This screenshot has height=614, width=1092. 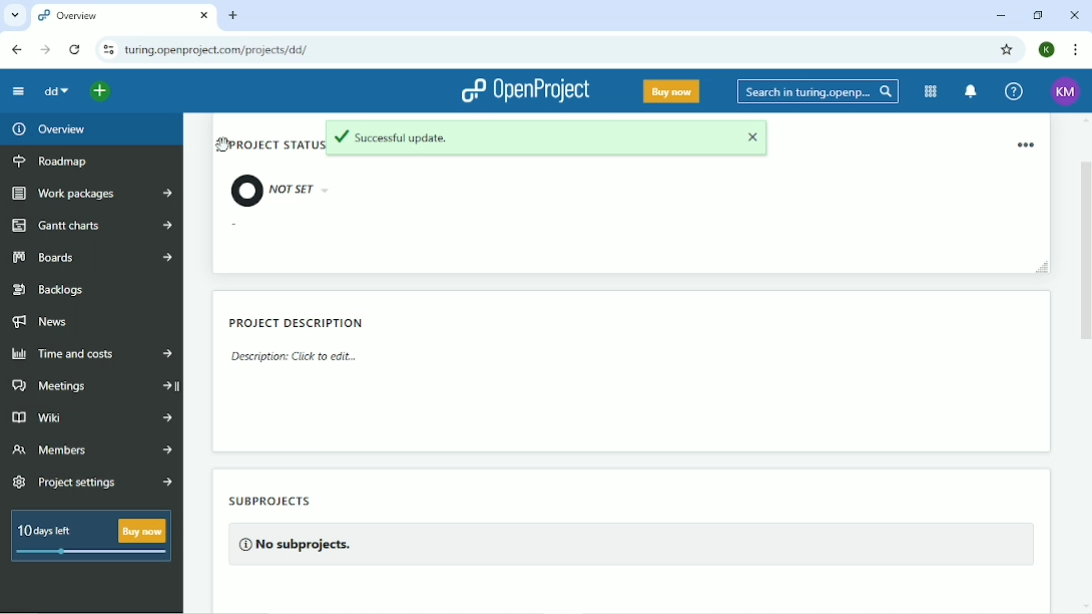 I want to click on Work packages, so click(x=93, y=193).